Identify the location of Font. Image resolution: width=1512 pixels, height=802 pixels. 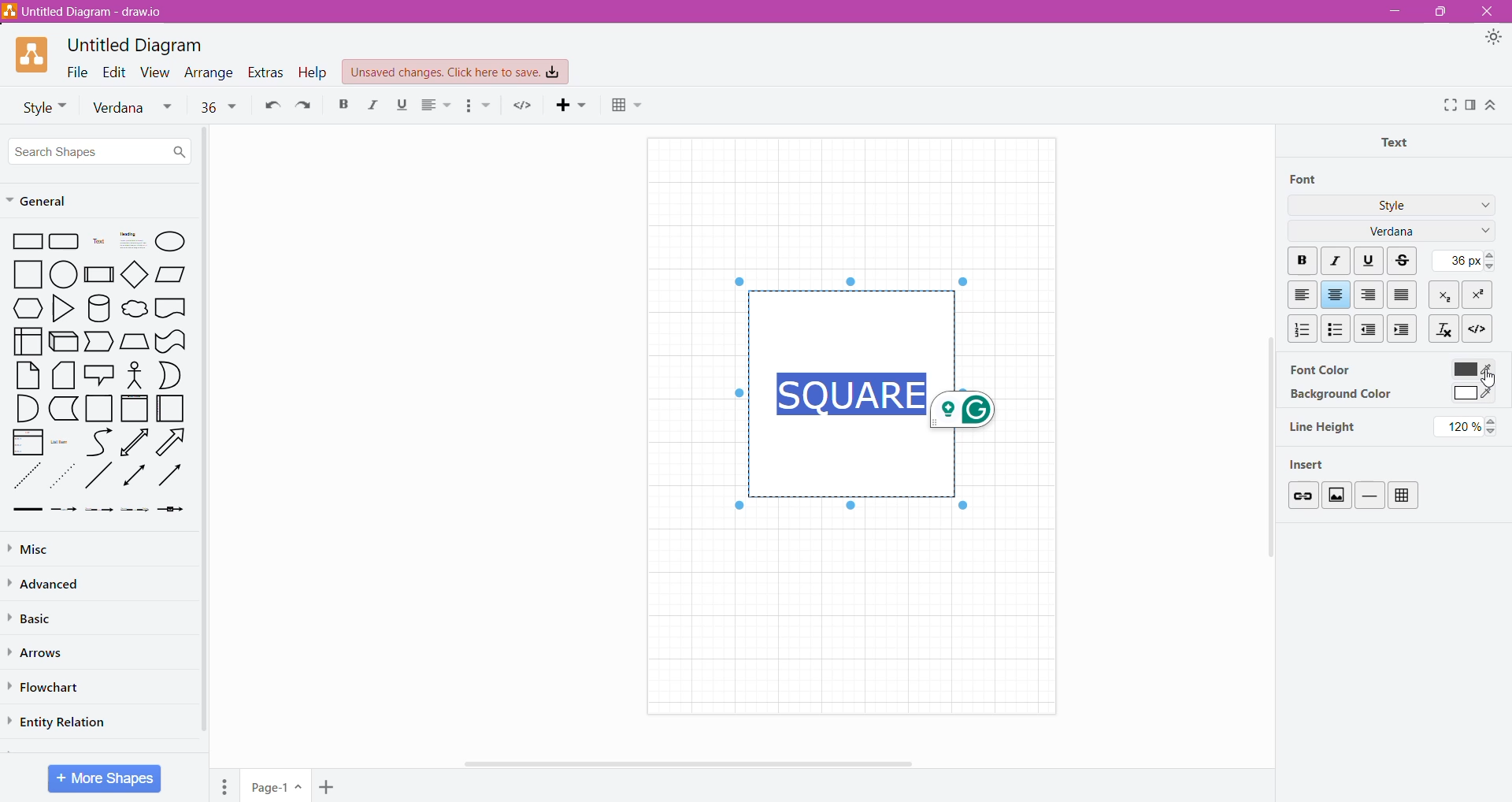
(1305, 180).